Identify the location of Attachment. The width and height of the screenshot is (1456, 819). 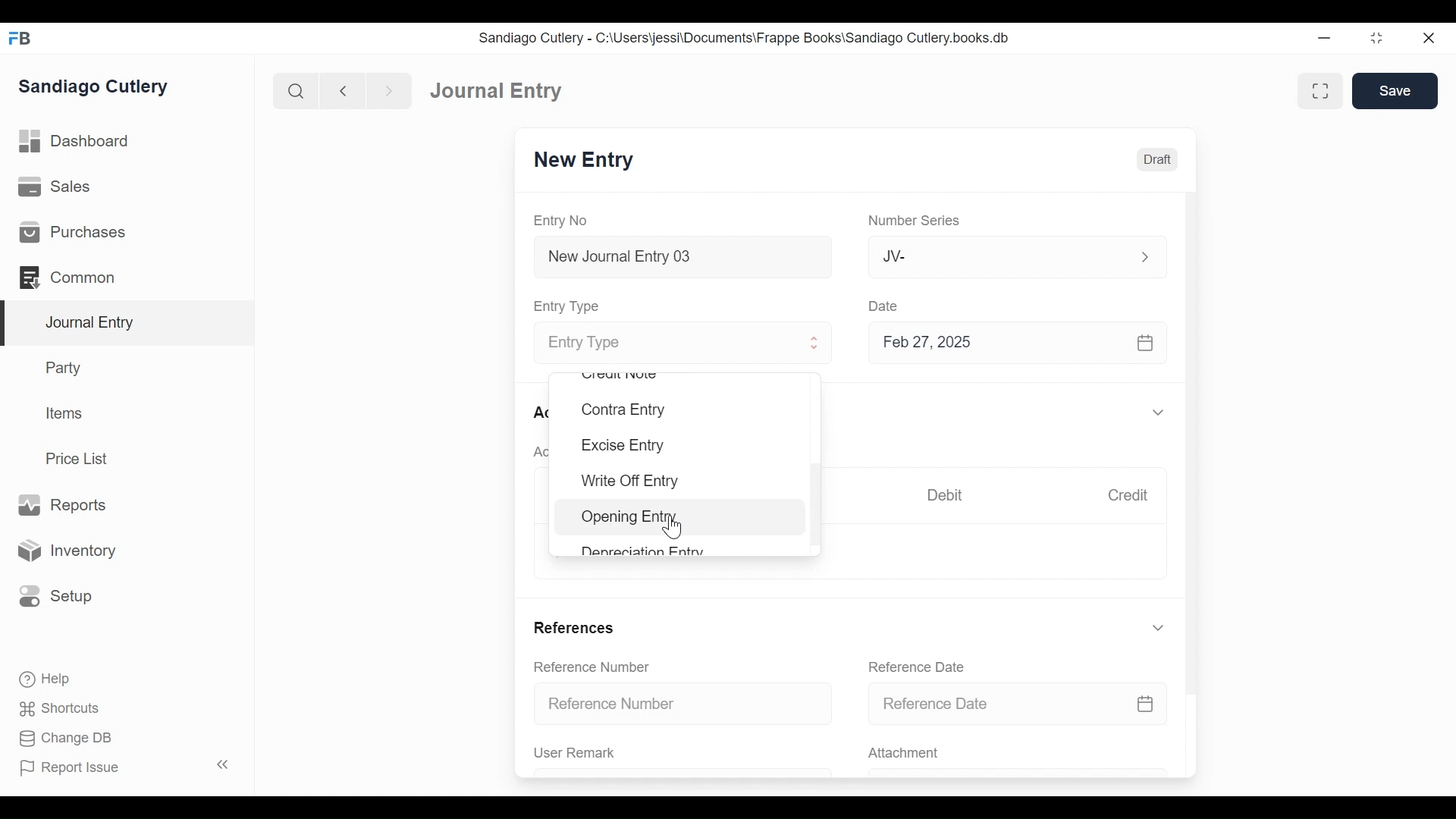
(903, 755).